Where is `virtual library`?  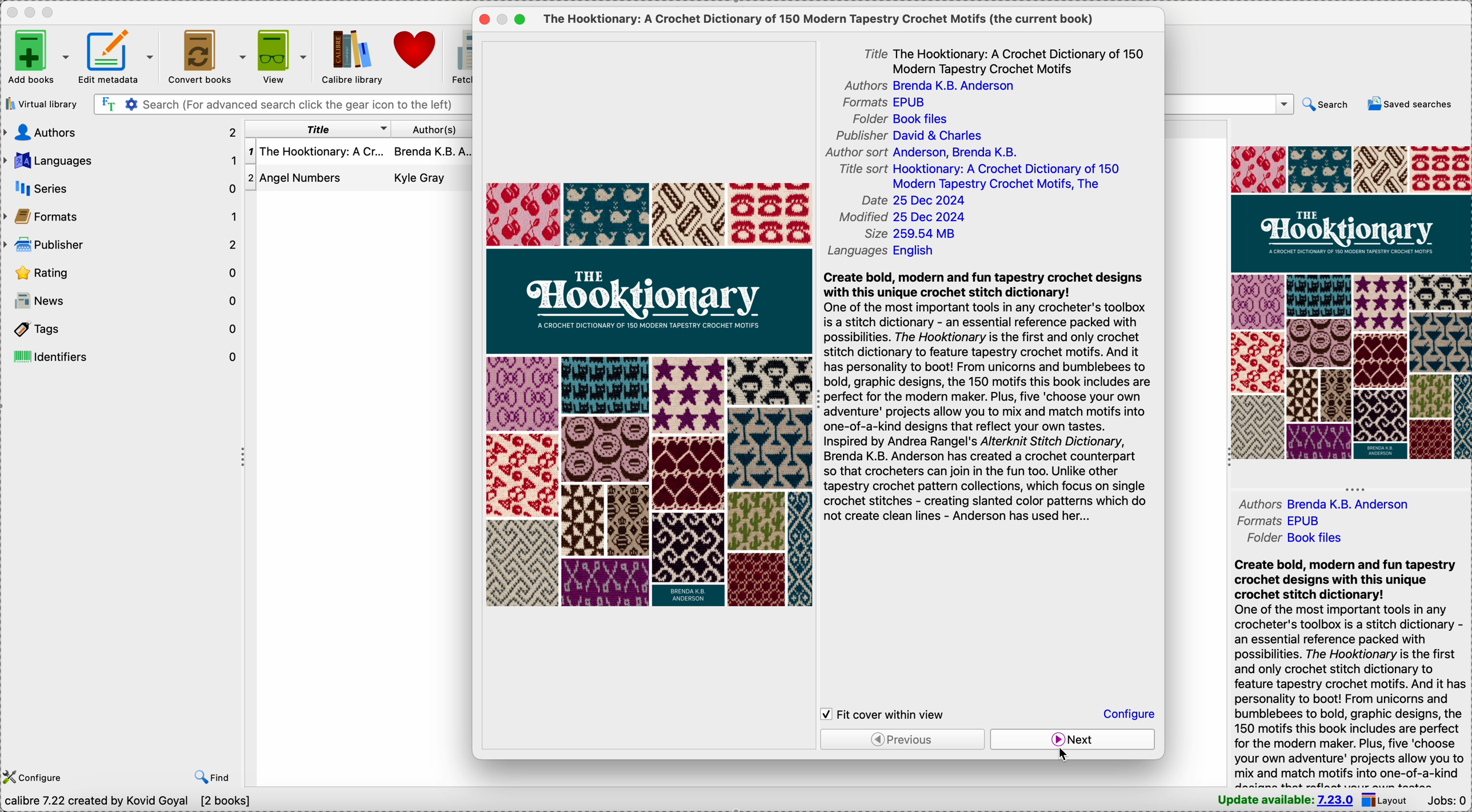 virtual library is located at coordinates (41, 103).